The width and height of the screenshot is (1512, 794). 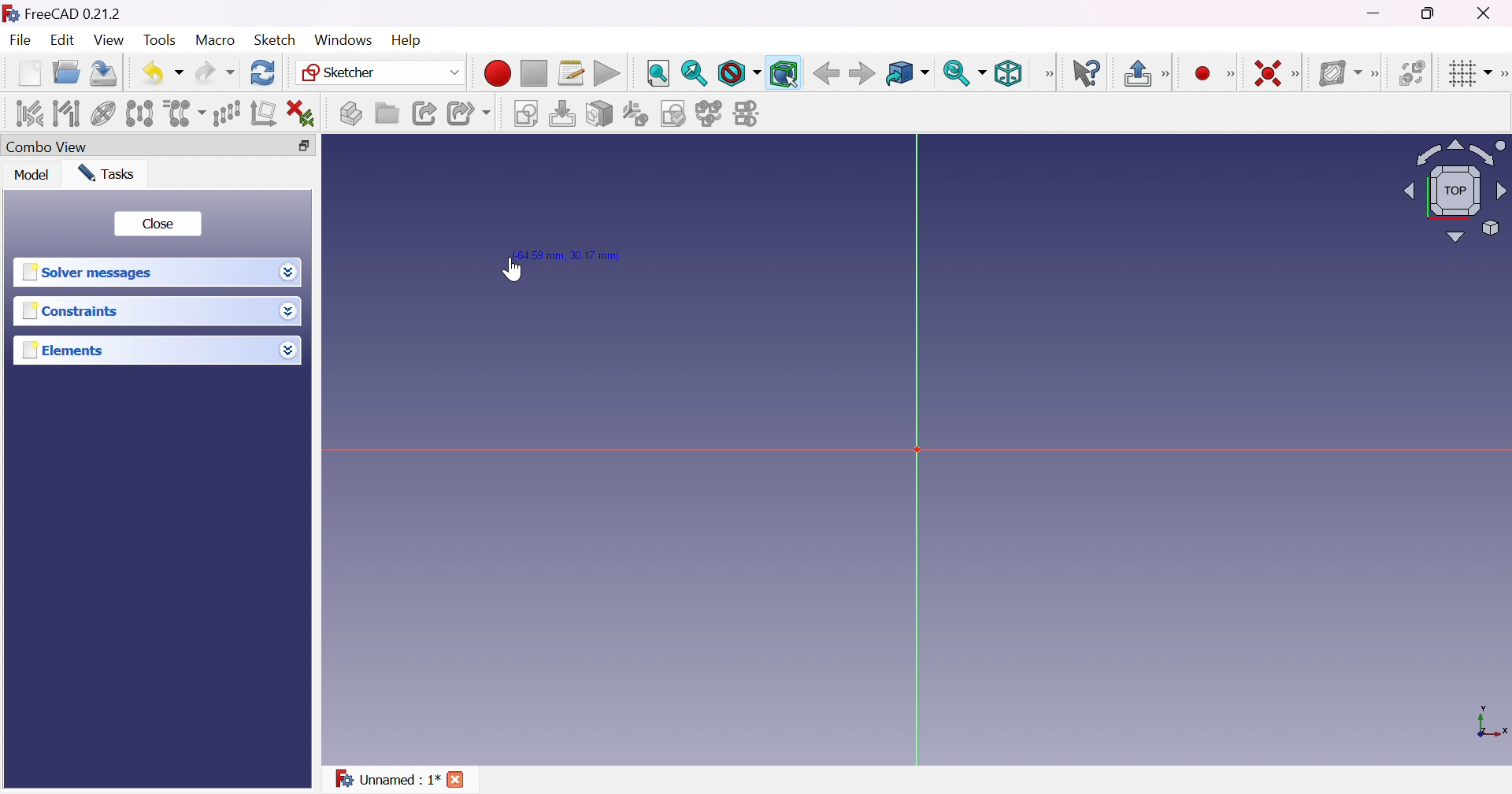 What do you see at coordinates (91, 273) in the screenshot?
I see `Solver message` at bounding box center [91, 273].